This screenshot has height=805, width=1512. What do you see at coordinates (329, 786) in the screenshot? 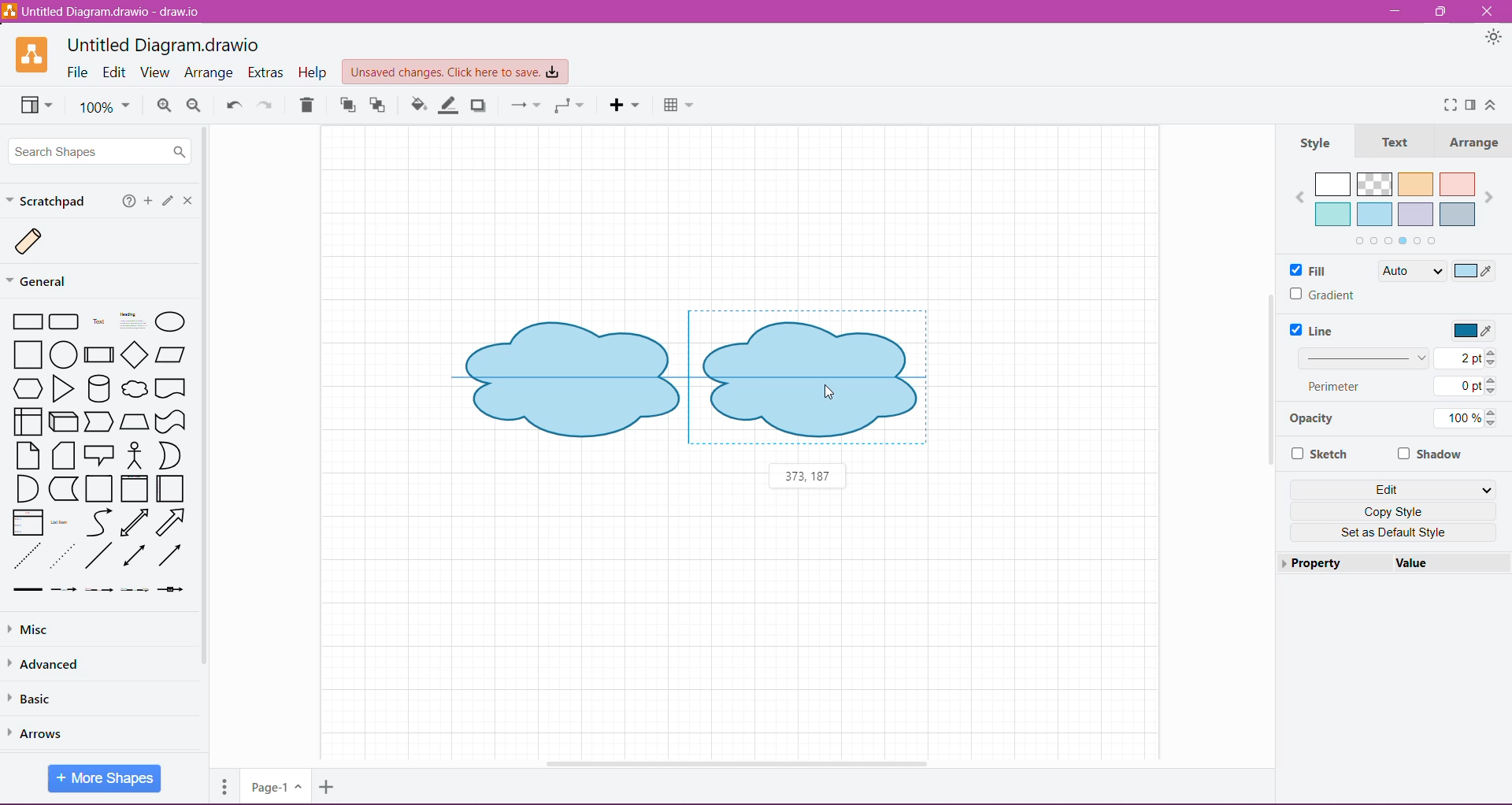
I see `Insert Page` at bounding box center [329, 786].